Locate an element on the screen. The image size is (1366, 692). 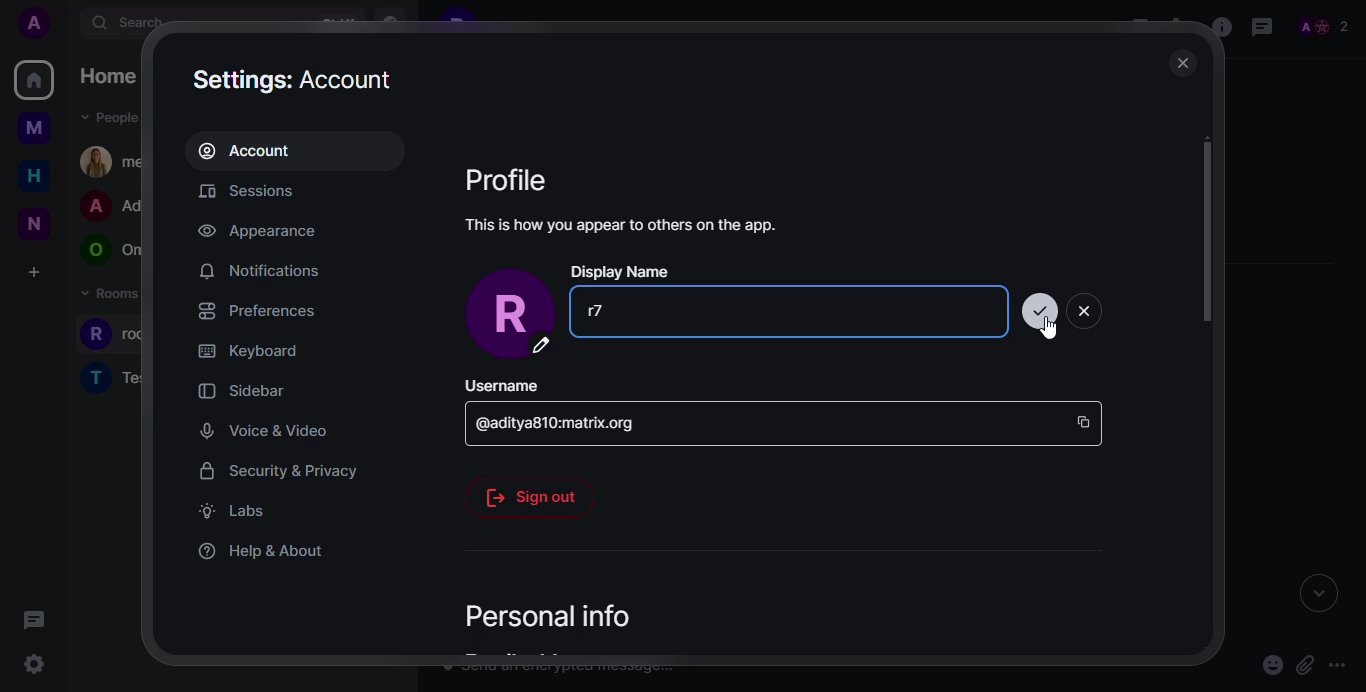
scroll bar is located at coordinates (1206, 231).